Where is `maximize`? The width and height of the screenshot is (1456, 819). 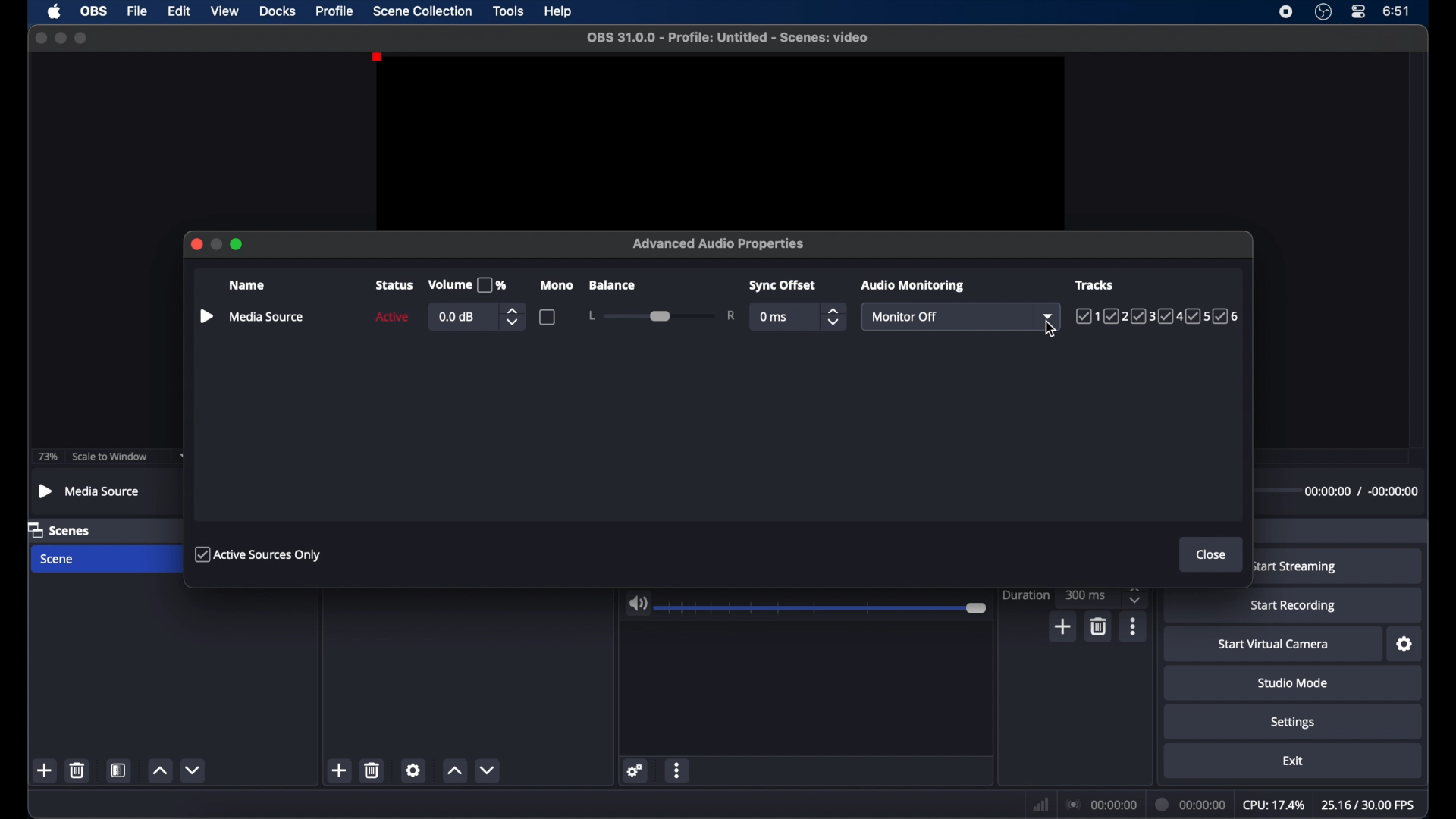
maximize is located at coordinates (237, 244).